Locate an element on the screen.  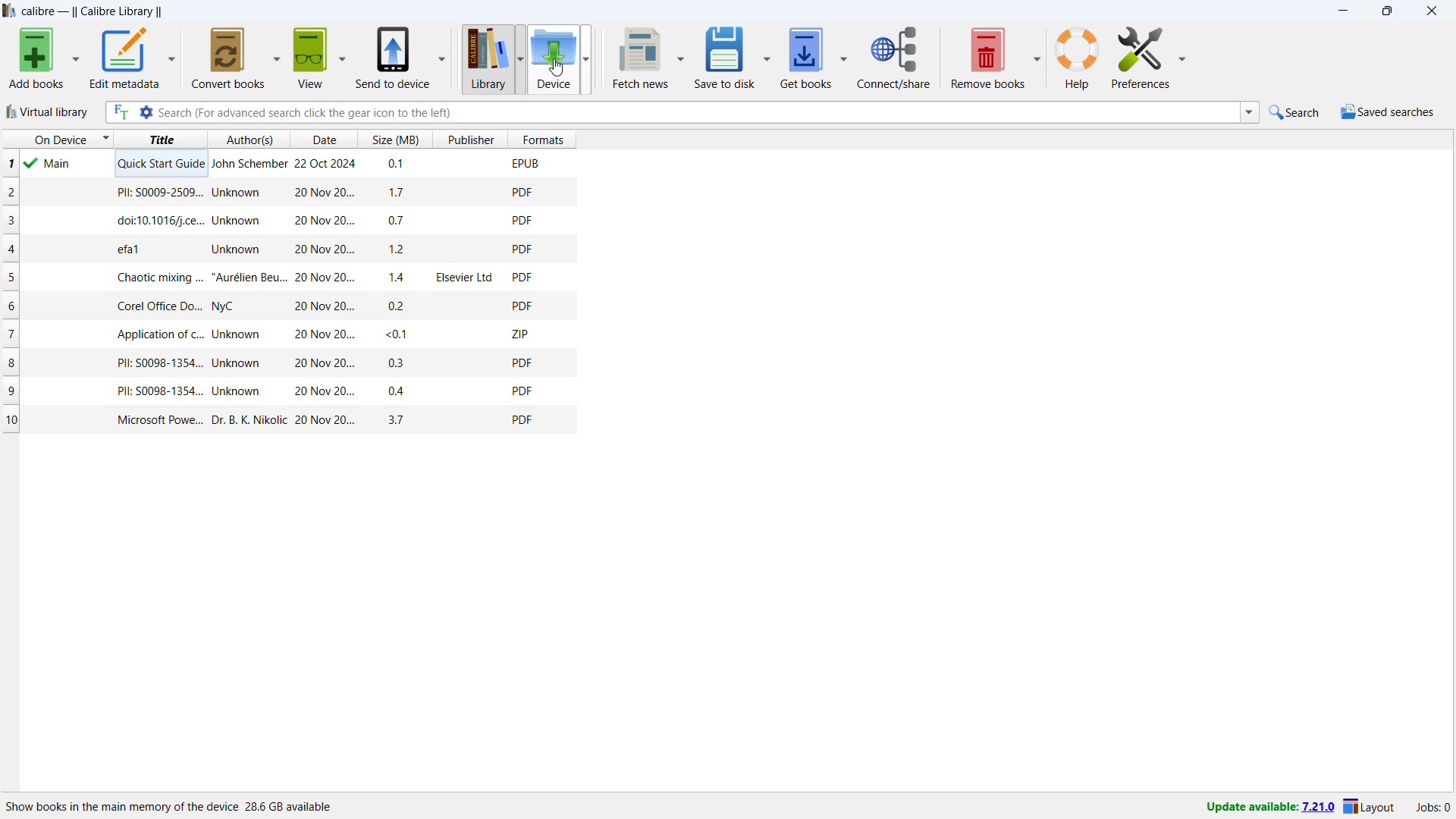
quick search is located at coordinates (1297, 112).